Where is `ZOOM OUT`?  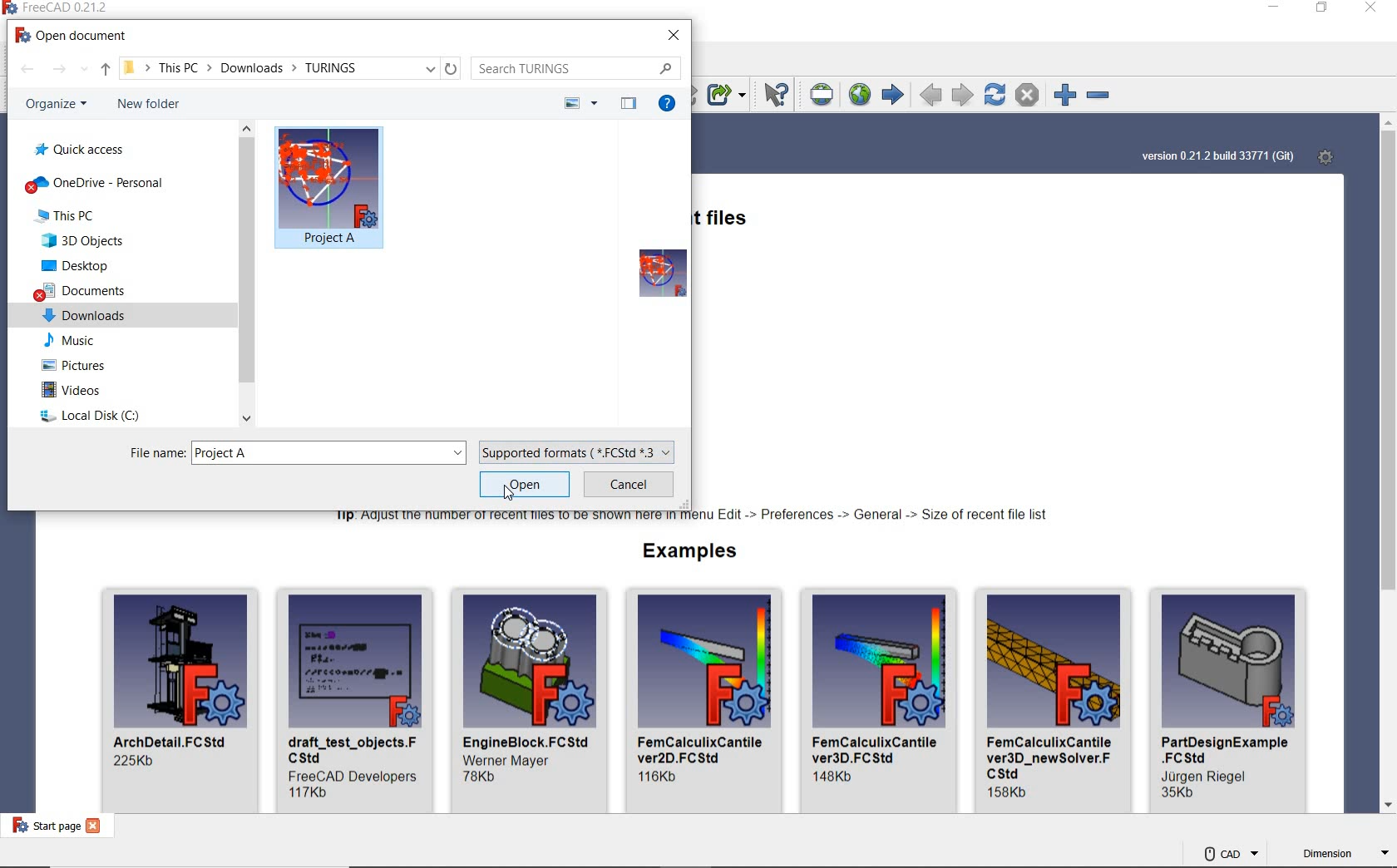 ZOOM OUT is located at coordinates (1101, 96).